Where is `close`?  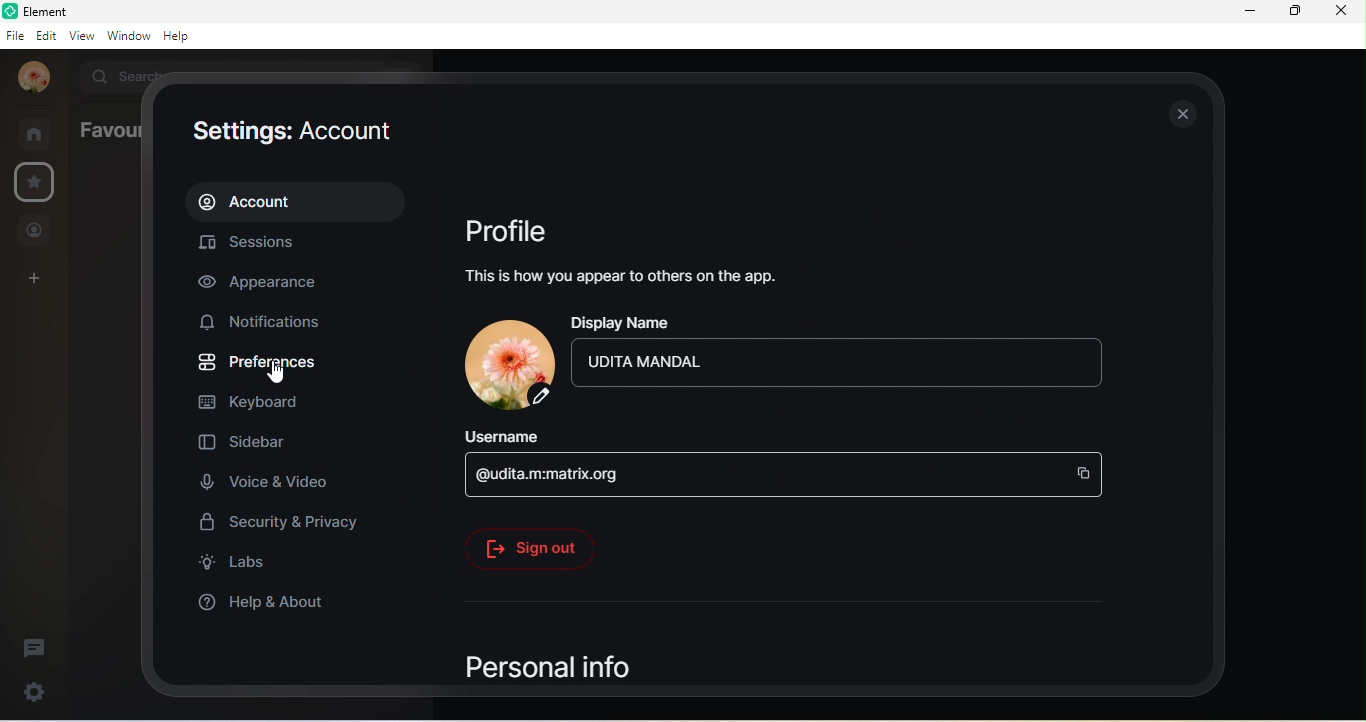
close is located at coordinates (1180, 116).